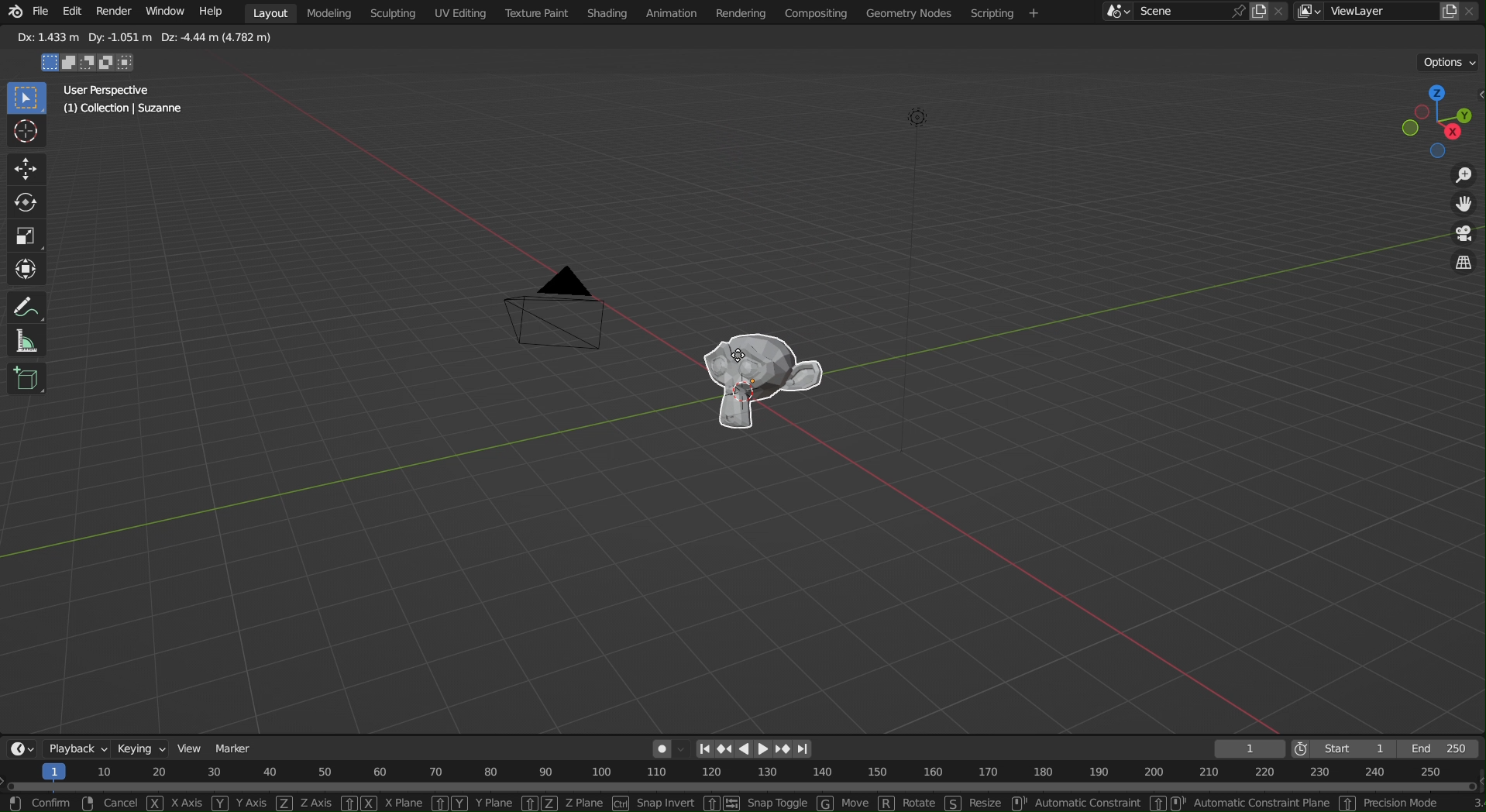 This screenshot has width=1486, height=812. I want to click on shift and X, so click(358, 803).